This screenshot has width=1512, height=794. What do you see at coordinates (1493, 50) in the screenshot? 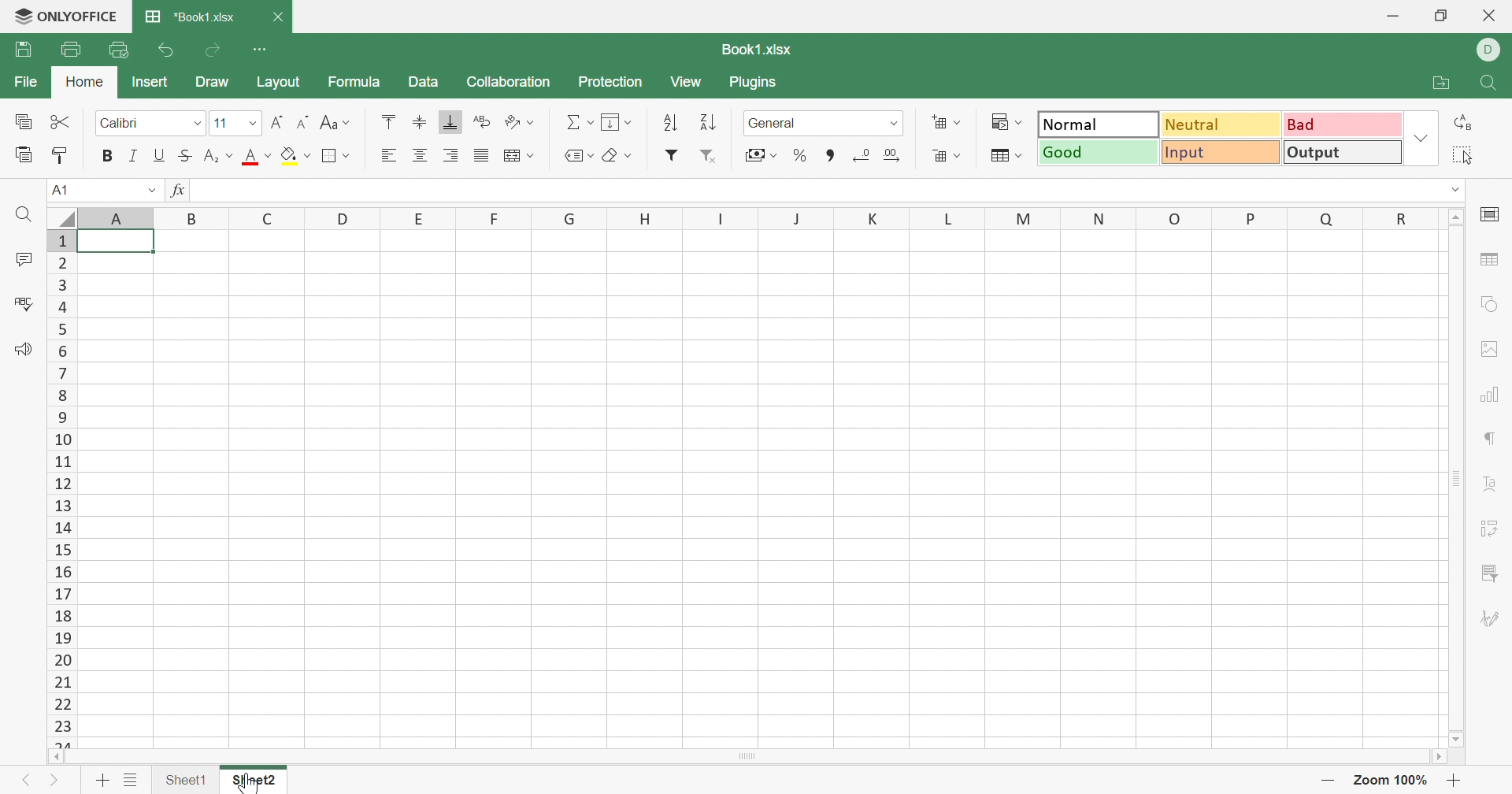
I see `D` at bounding box center [1493, 50].